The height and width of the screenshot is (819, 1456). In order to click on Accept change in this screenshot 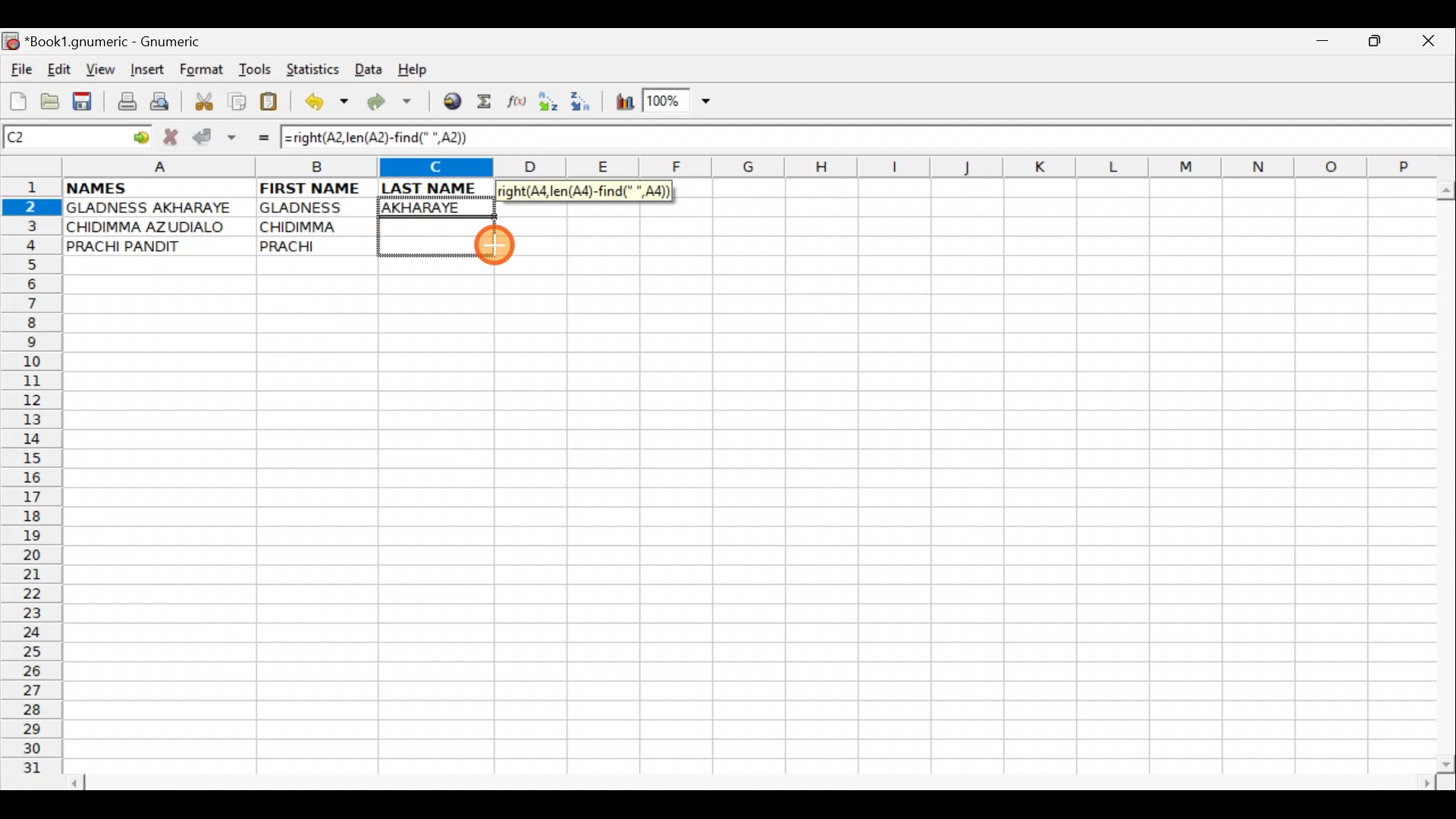, I will do `click(215, 135)`.